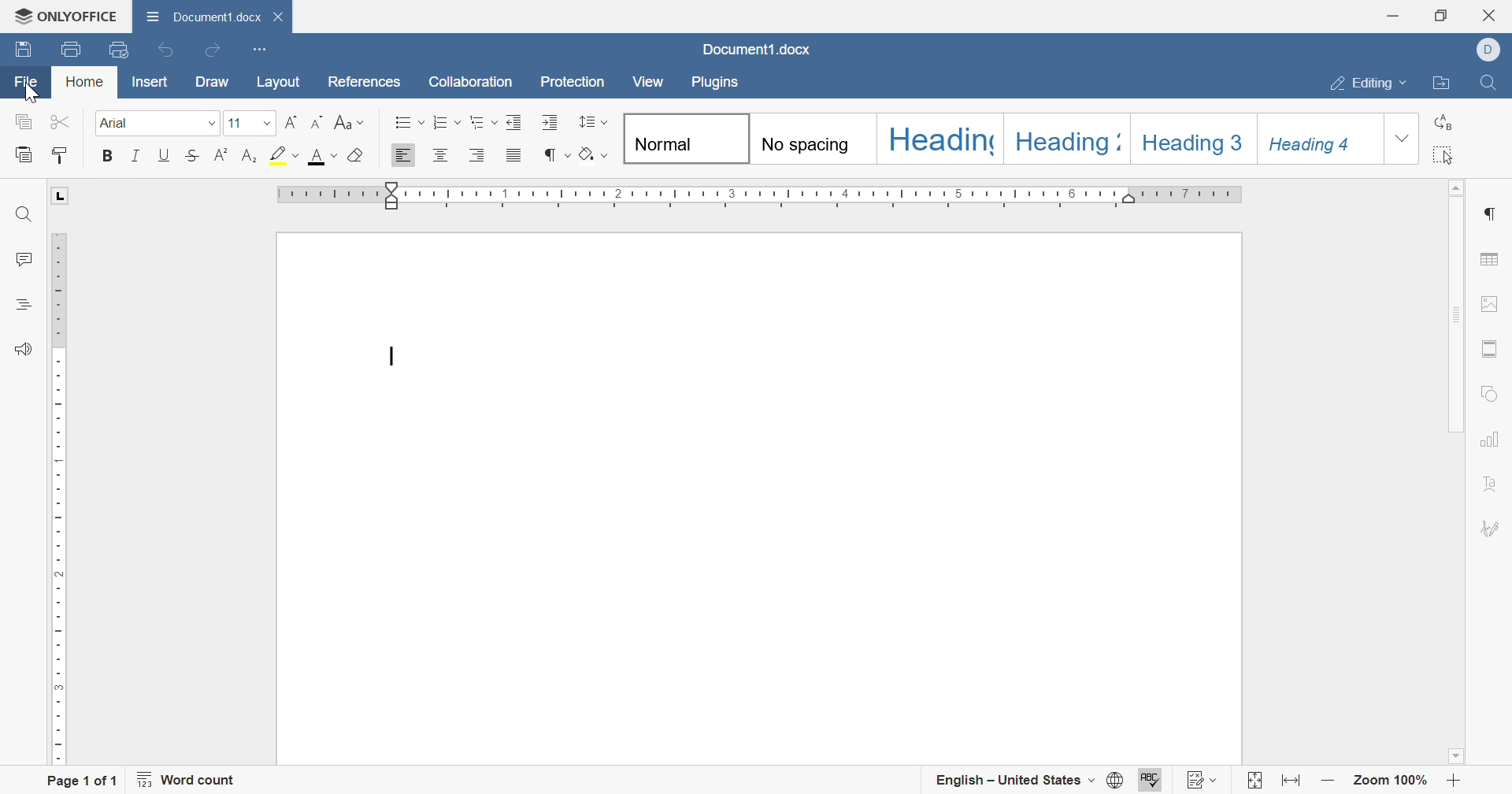  I want to click on headings, so click(23, 305).